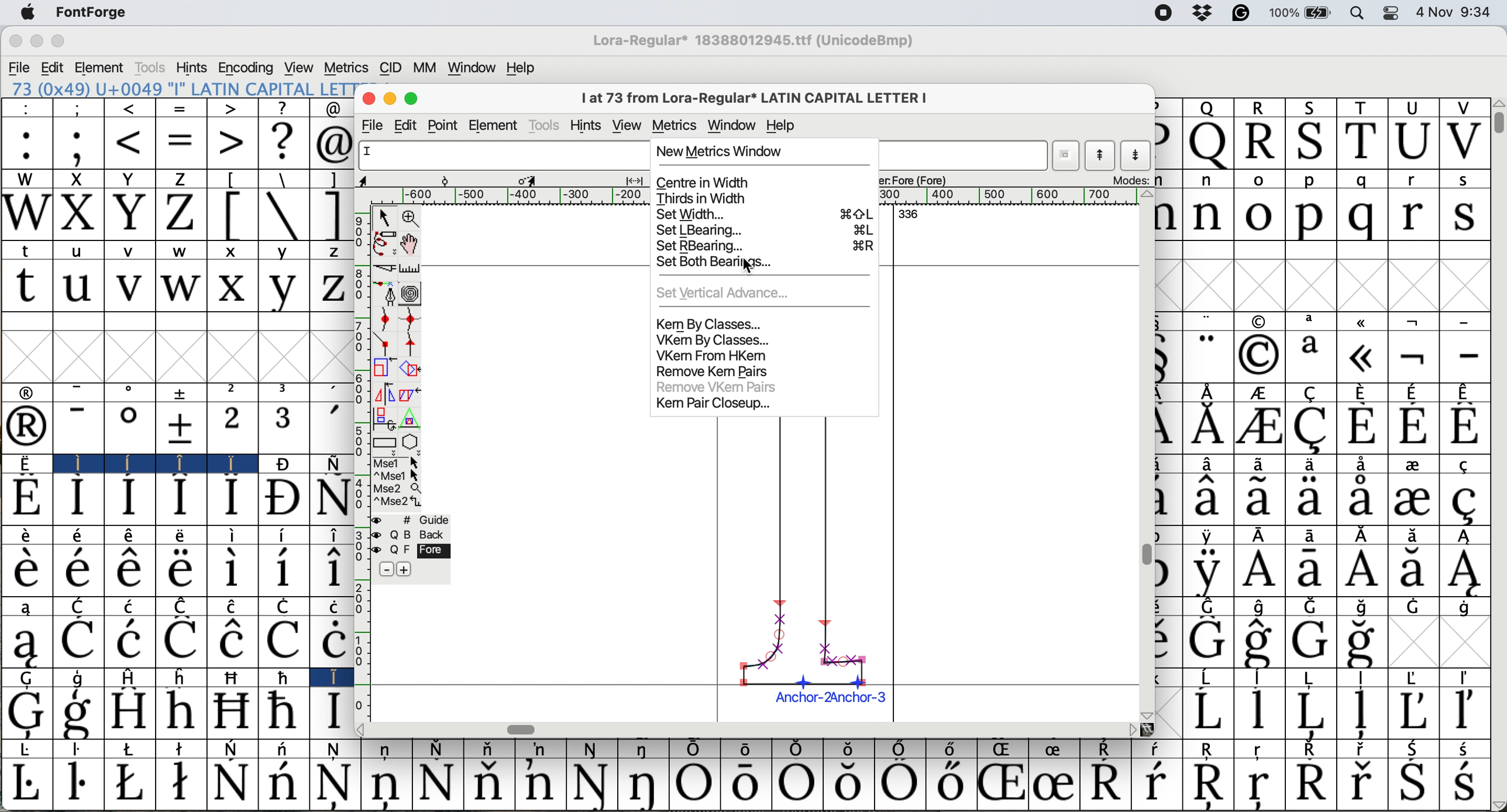 The width and height of the screenshot is (1507, 812). Describe the element at coordinates (1210, 676) in the screenshot. I see `Symbol` at that location.